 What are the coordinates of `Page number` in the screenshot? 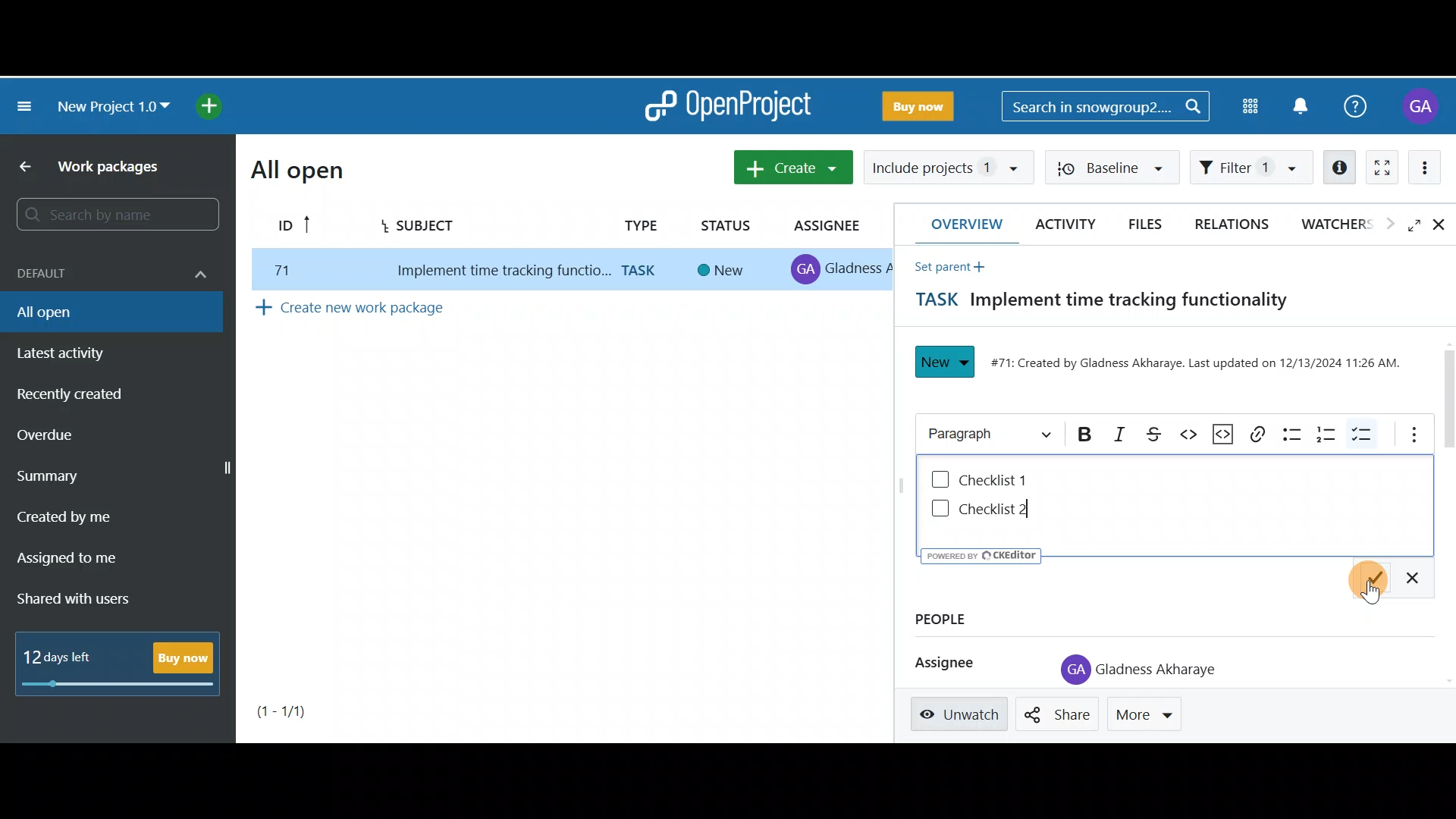 It's located at (305, 711).